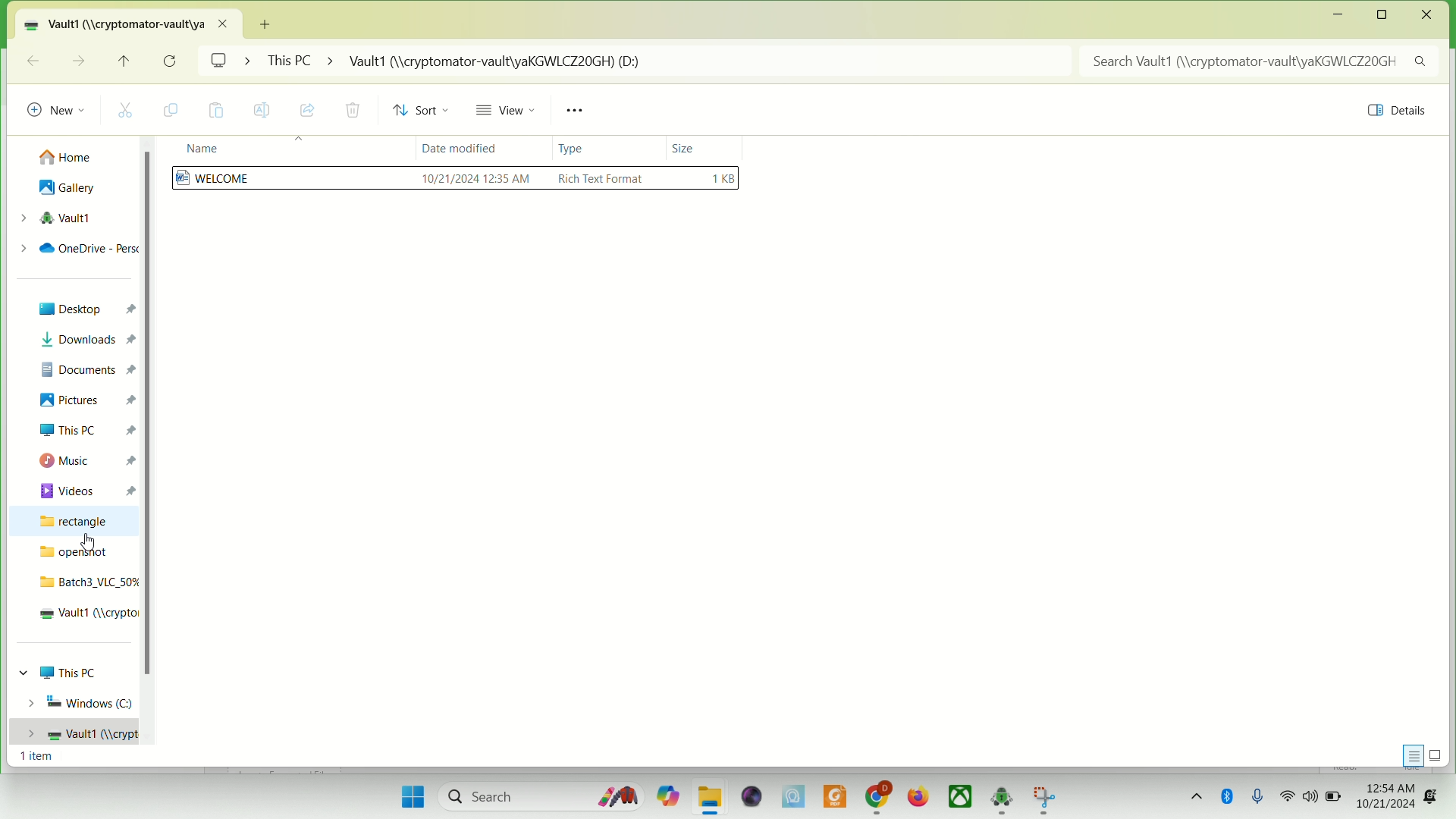  Describe the element at coordinates (1262, 795) in the screenshot. I see `microphone` at that location.